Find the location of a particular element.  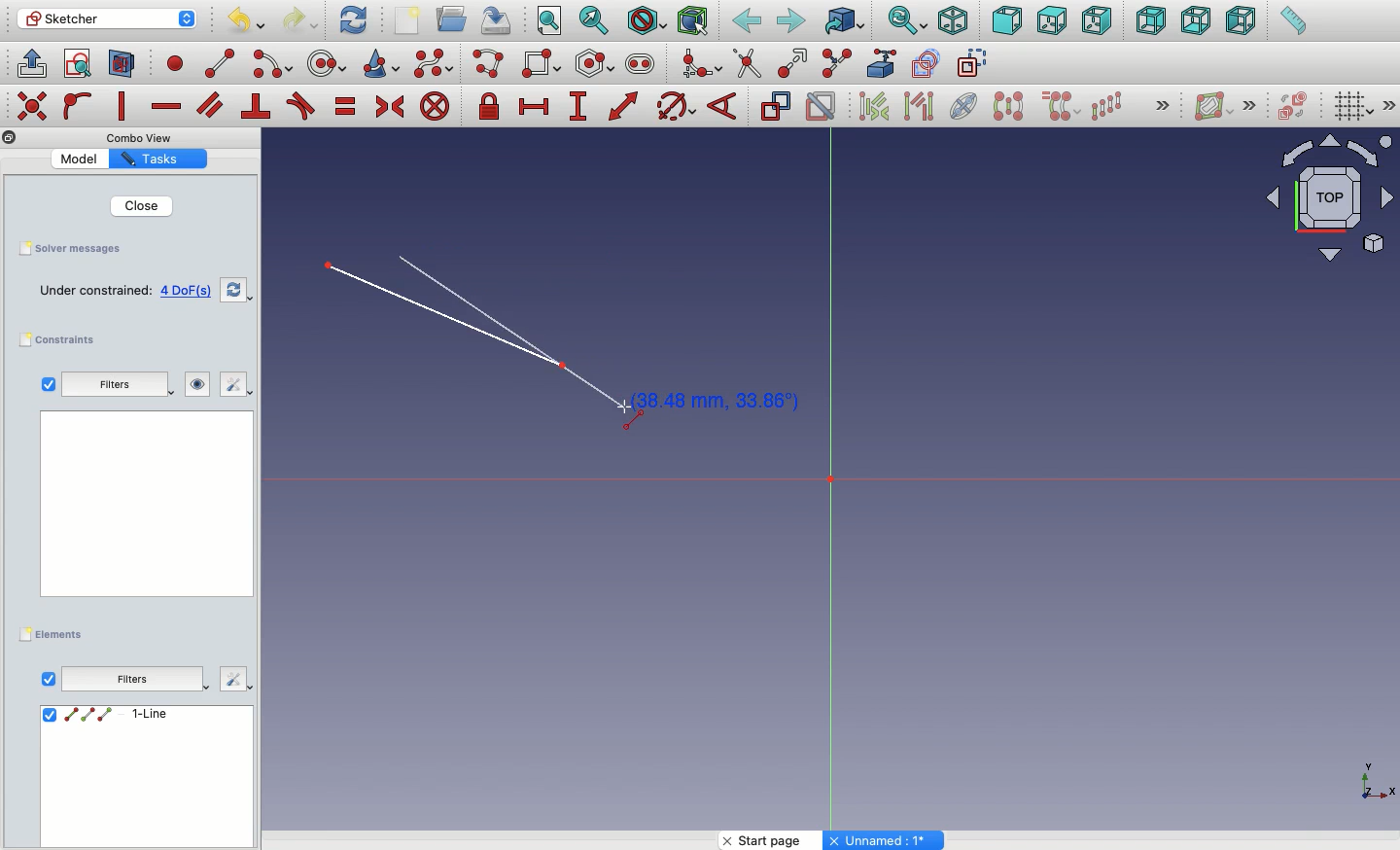

Constrain tangent is located at coordinates (301, 106).